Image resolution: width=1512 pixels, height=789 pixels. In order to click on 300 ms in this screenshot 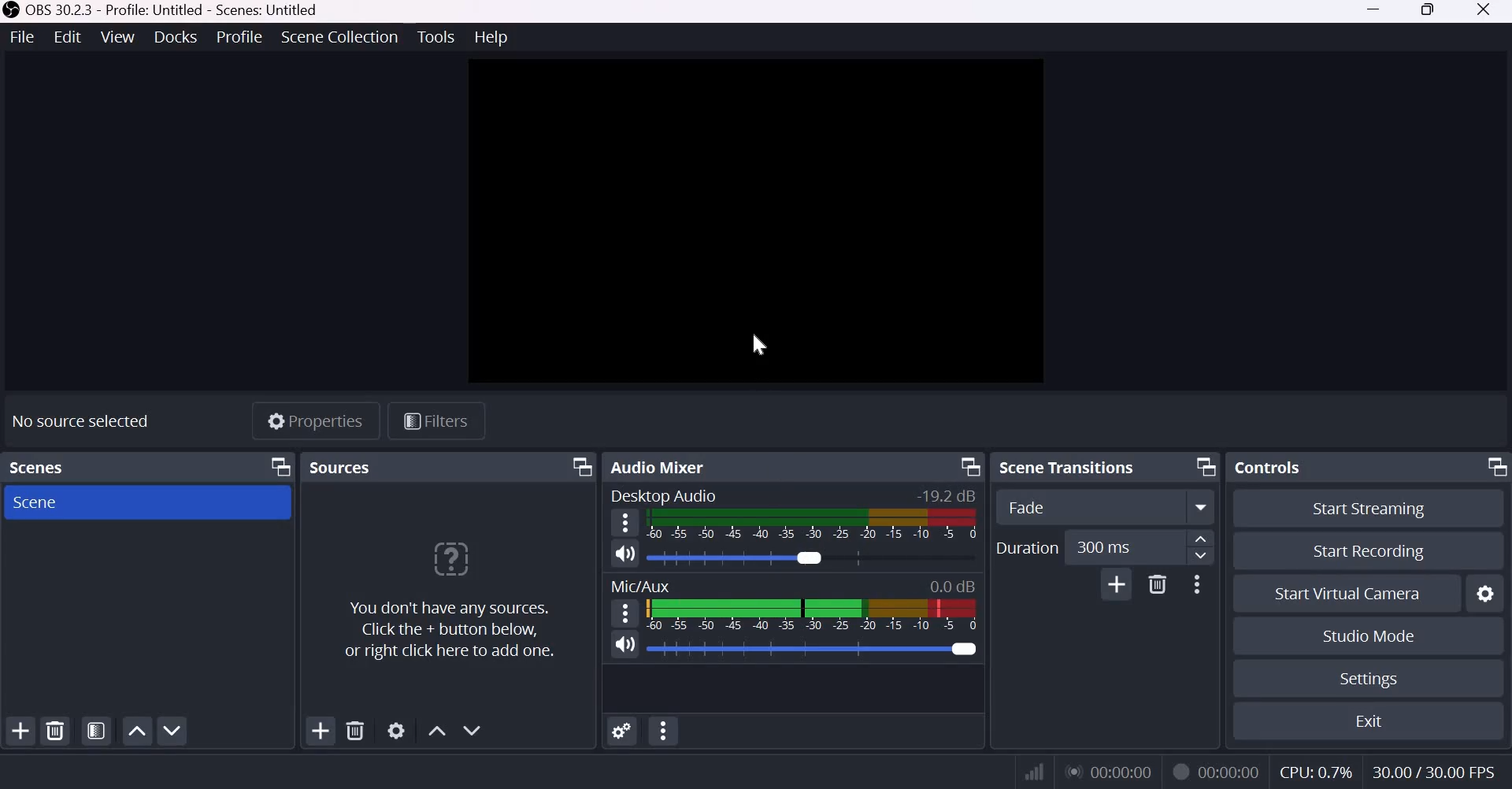, I will do `click(1124, 548)`.